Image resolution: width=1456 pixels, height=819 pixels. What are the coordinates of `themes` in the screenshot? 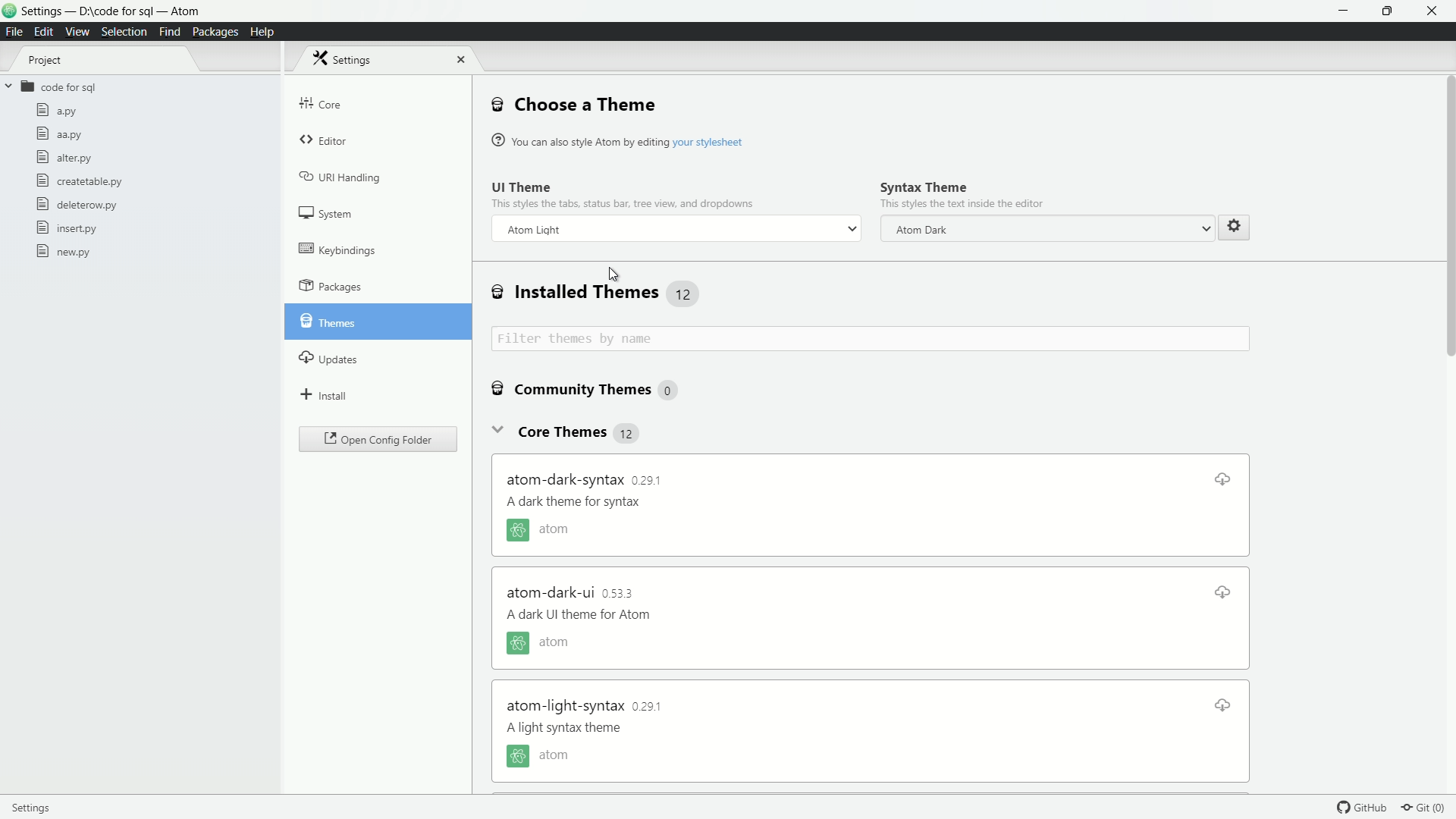 It's located at (331, 322).